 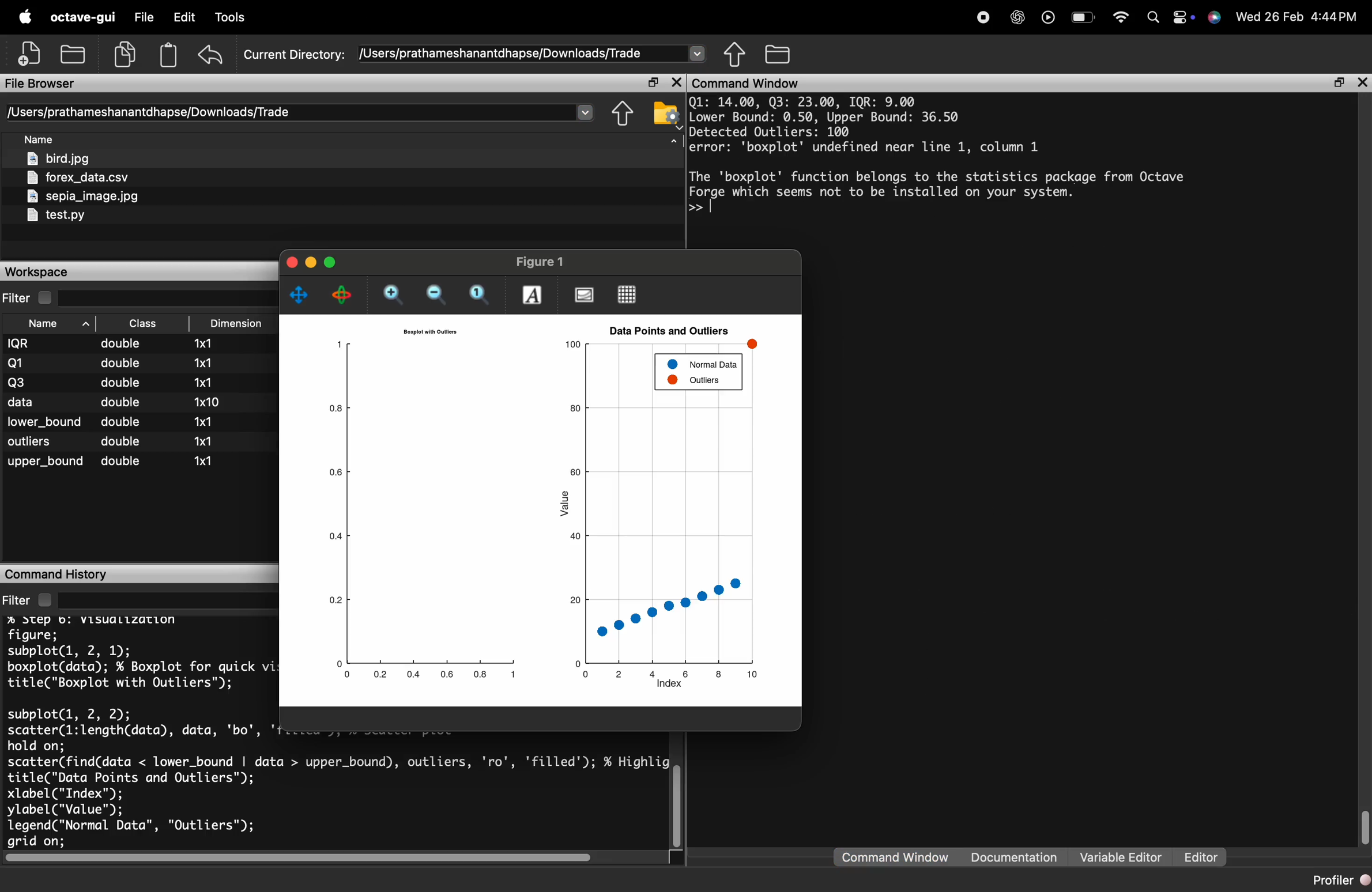 I want to click on /Users/prathameshanantdhapse/Downloads/Trade, so click(x=502, y=54).